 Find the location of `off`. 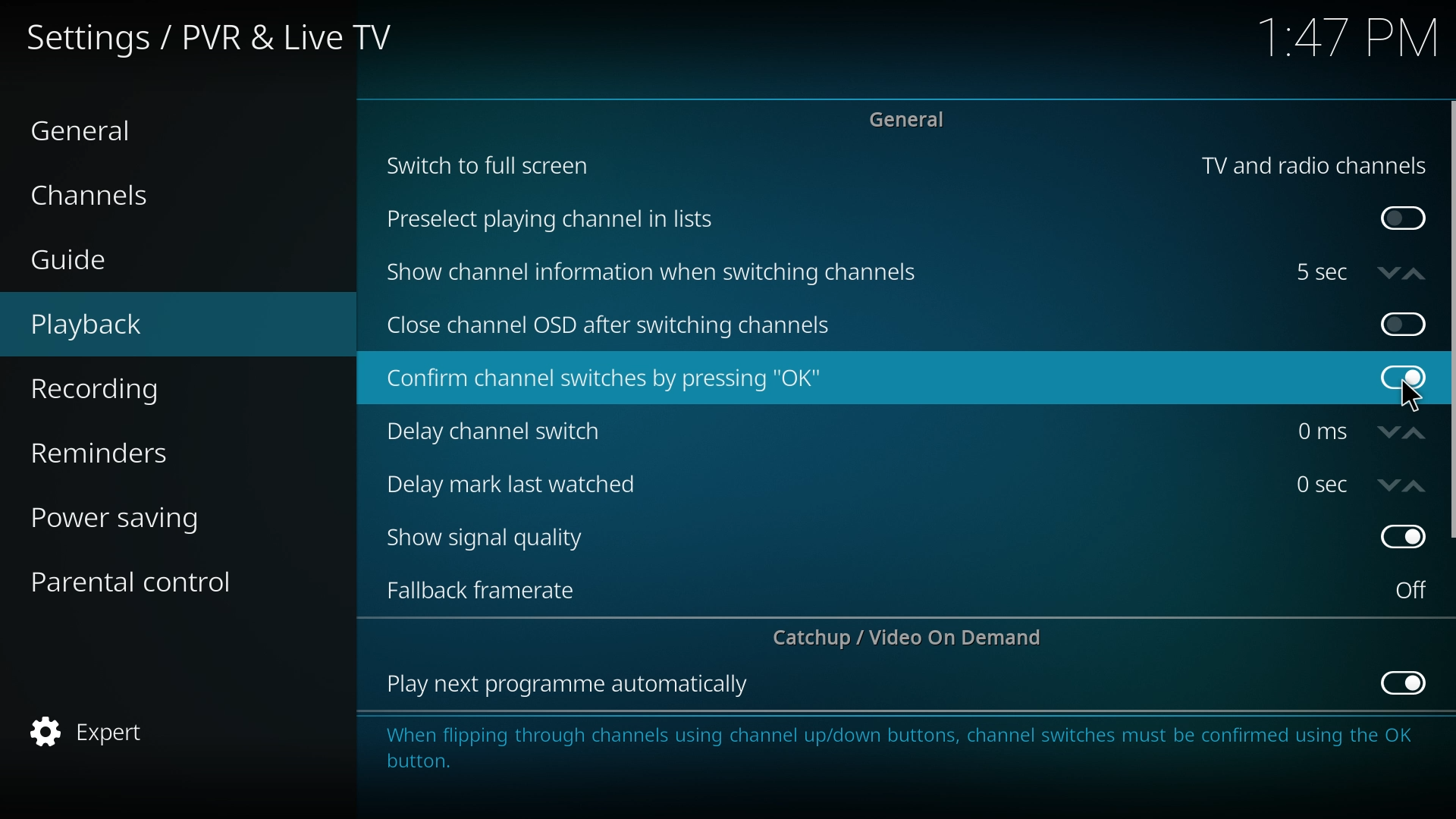

off is located at coordinates (1406, 681).